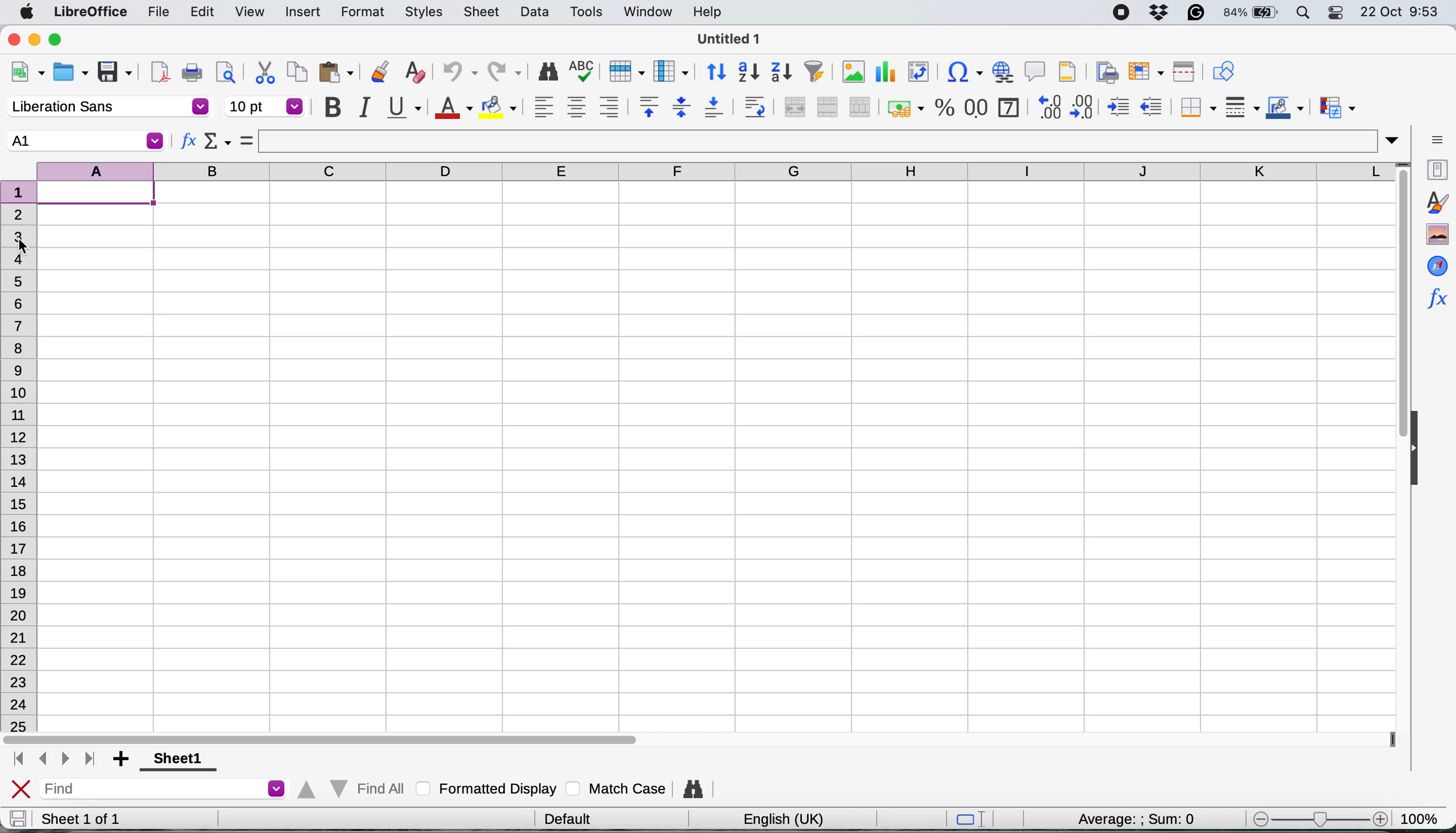  Describe the element at coordinates (204, 11) in the screenshot. I see `edit` at that location.